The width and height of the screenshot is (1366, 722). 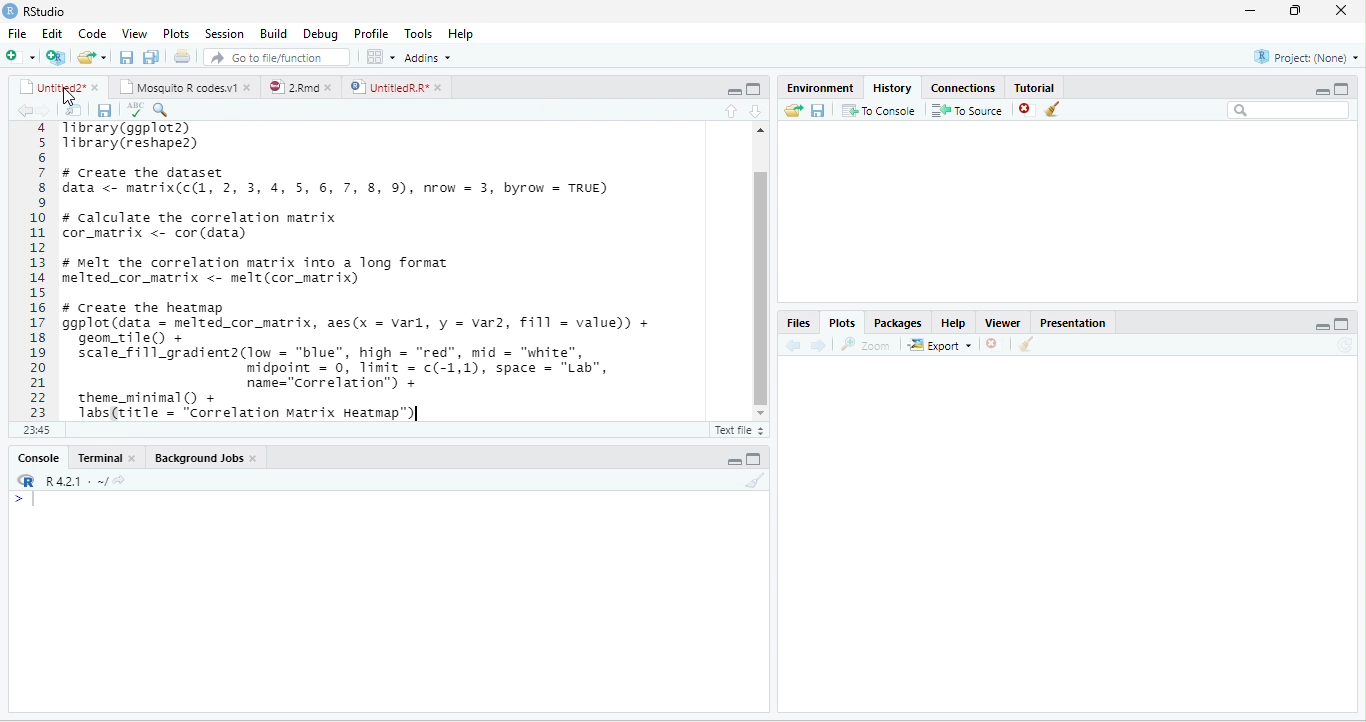 What do you see at coordinates (758, 275) in the screenshot?
I see `SLIDE bar` at bounding box center [758, 275].